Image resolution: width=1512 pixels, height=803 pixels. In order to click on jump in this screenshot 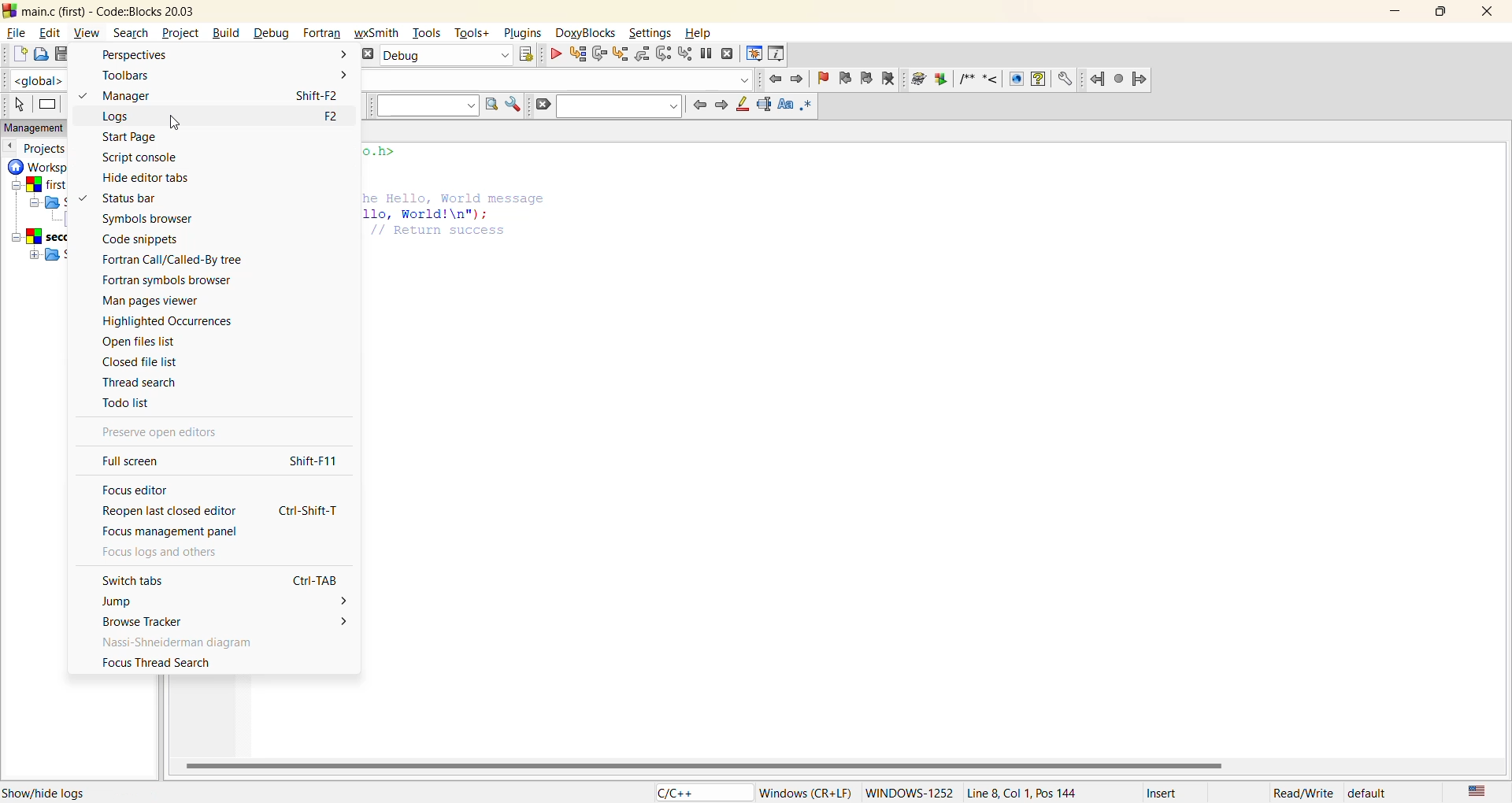, I will do `click(229, 605)`.